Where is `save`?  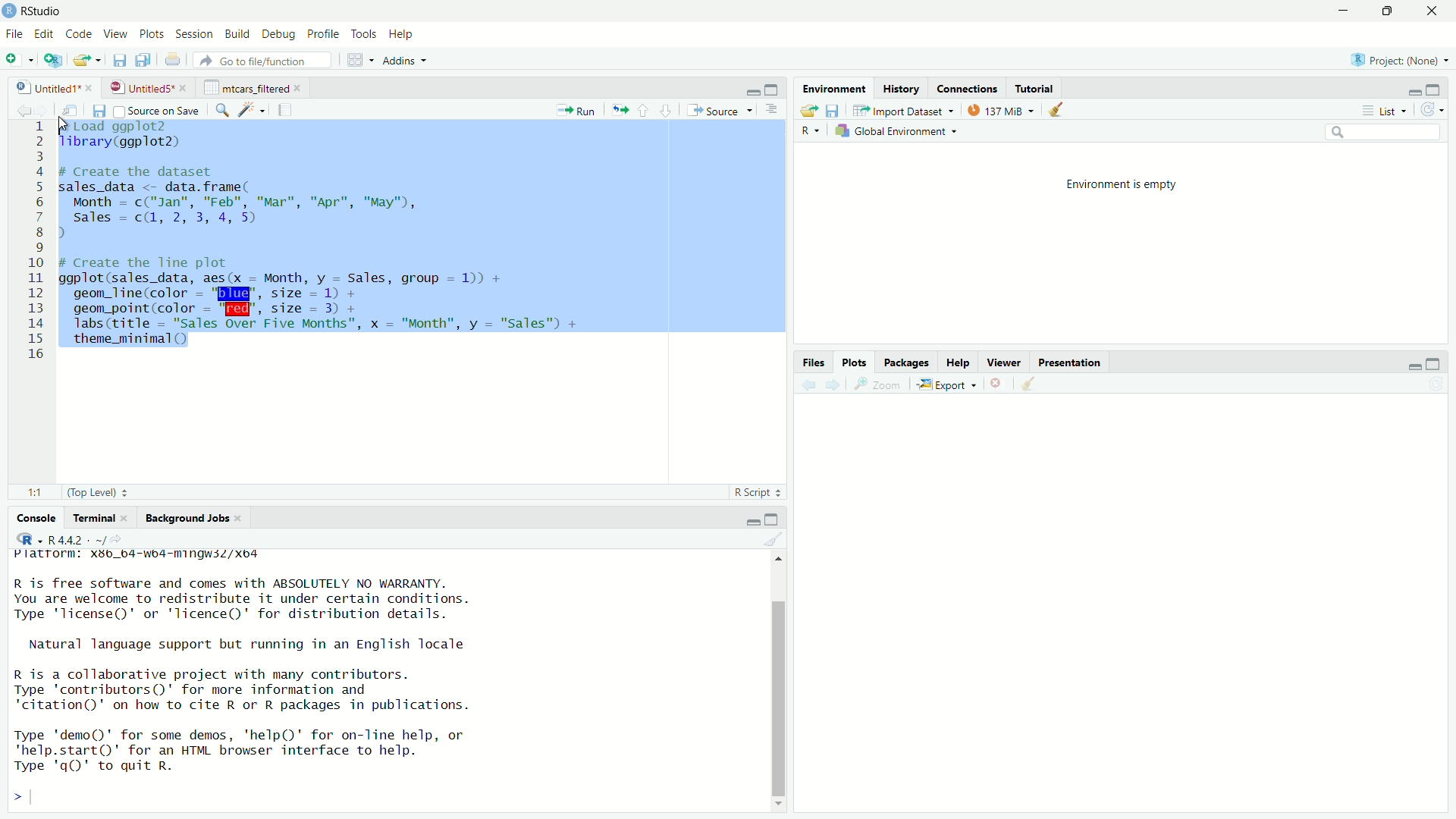
save is located at coordinates (121, 61).